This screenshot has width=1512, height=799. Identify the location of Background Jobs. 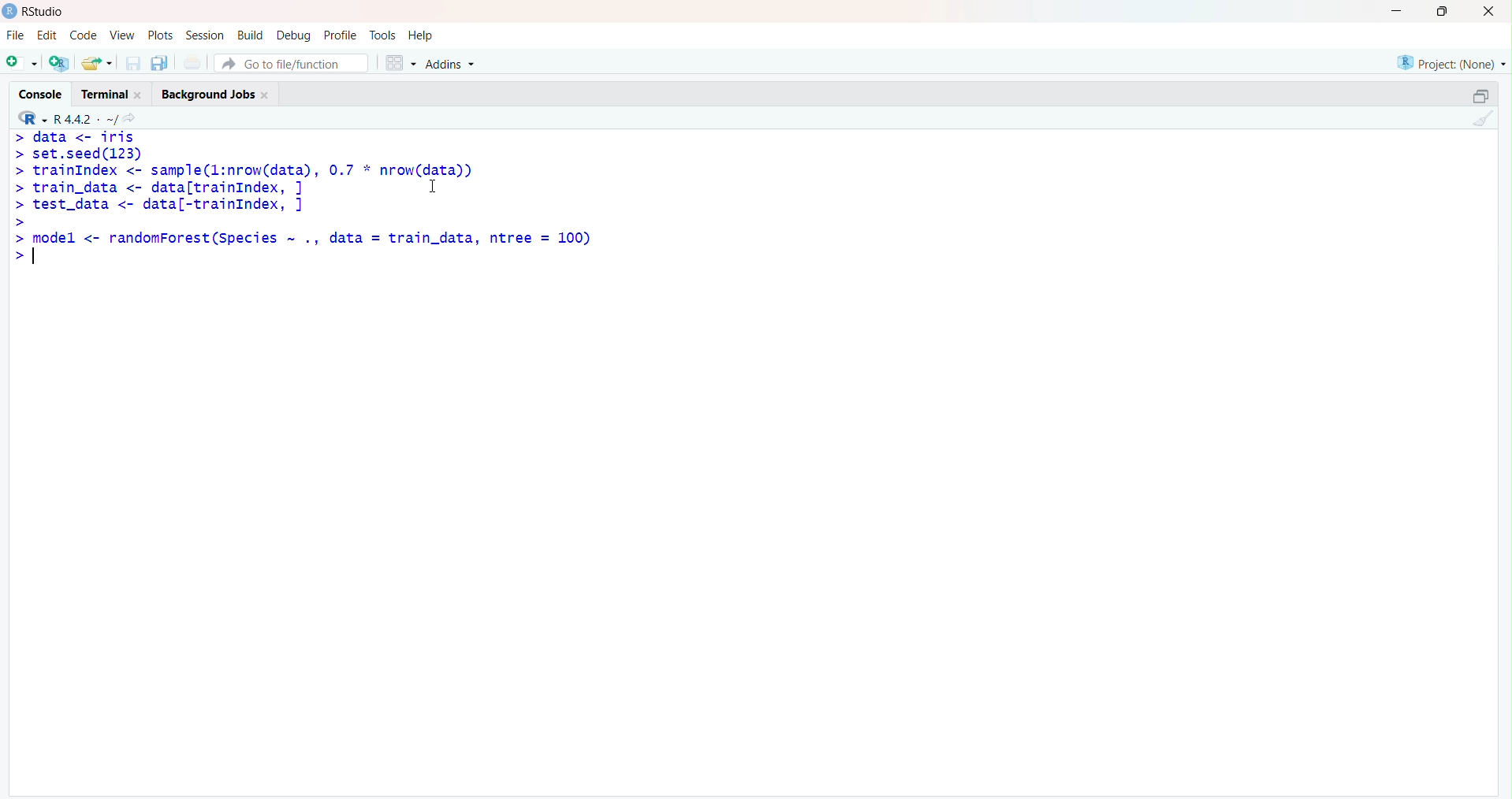
(215, 93).